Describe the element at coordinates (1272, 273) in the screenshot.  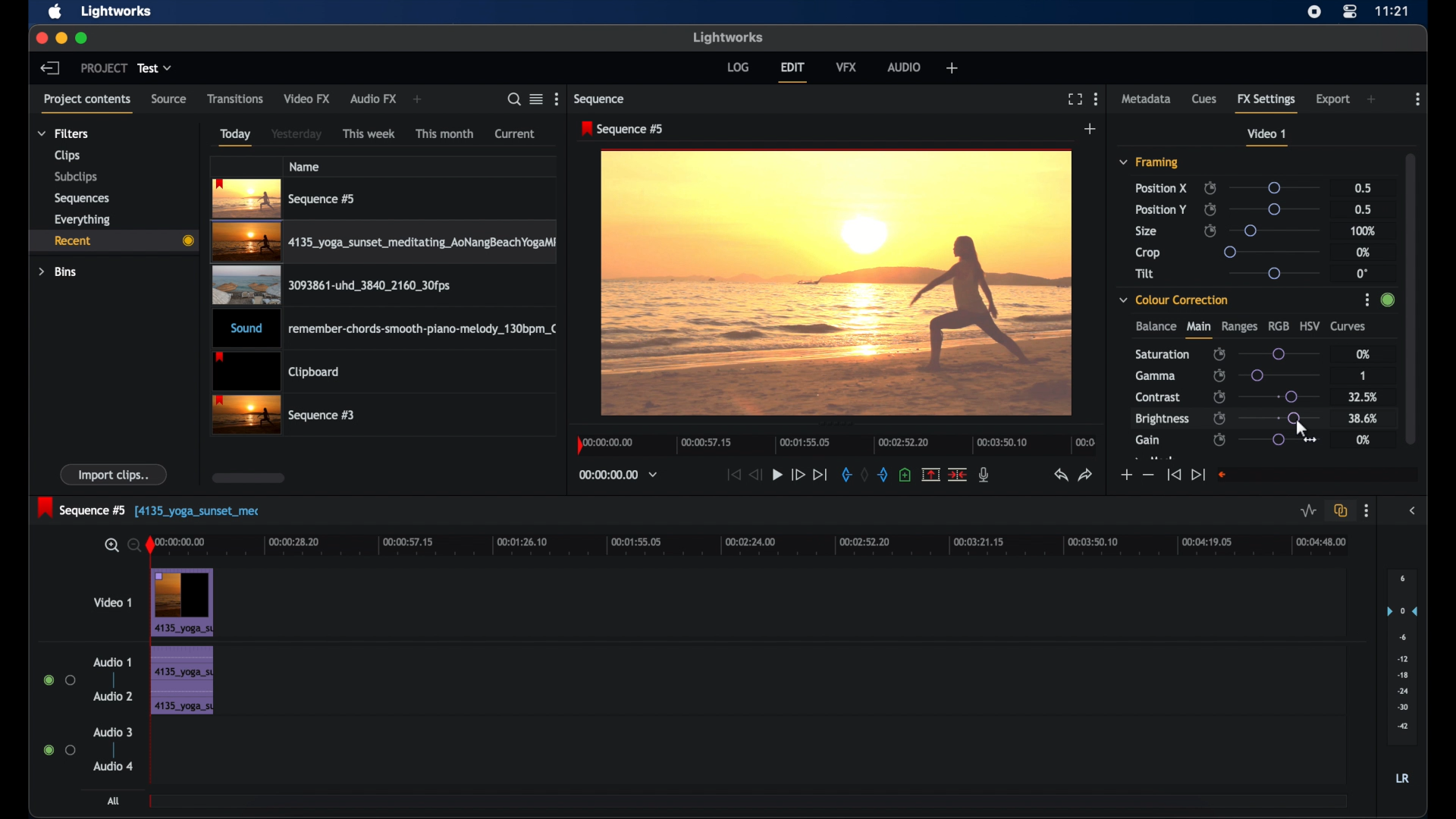
I see `slider` at that location.